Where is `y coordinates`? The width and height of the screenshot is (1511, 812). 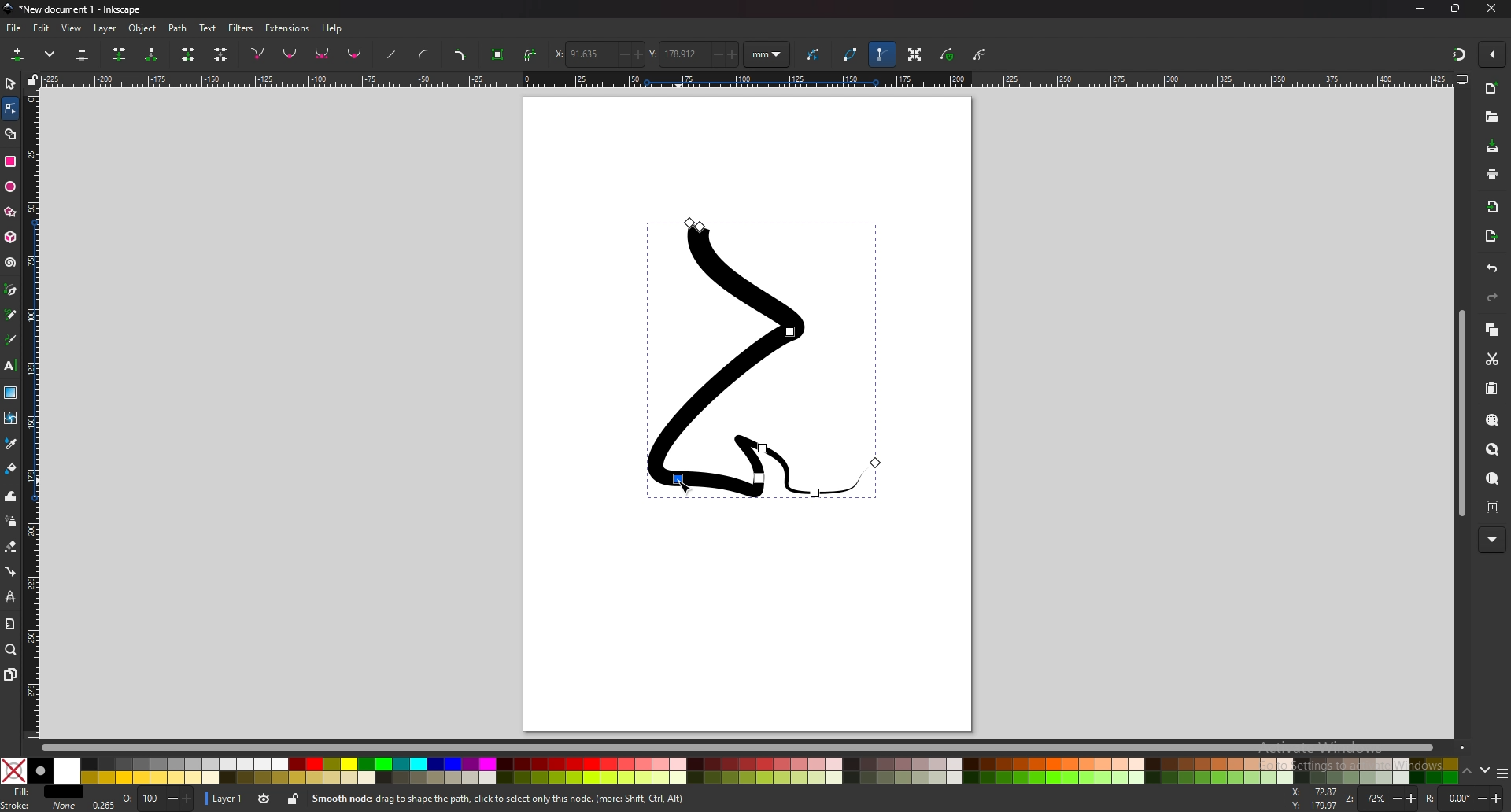 y coordinates is located at coordinates (693, 54).